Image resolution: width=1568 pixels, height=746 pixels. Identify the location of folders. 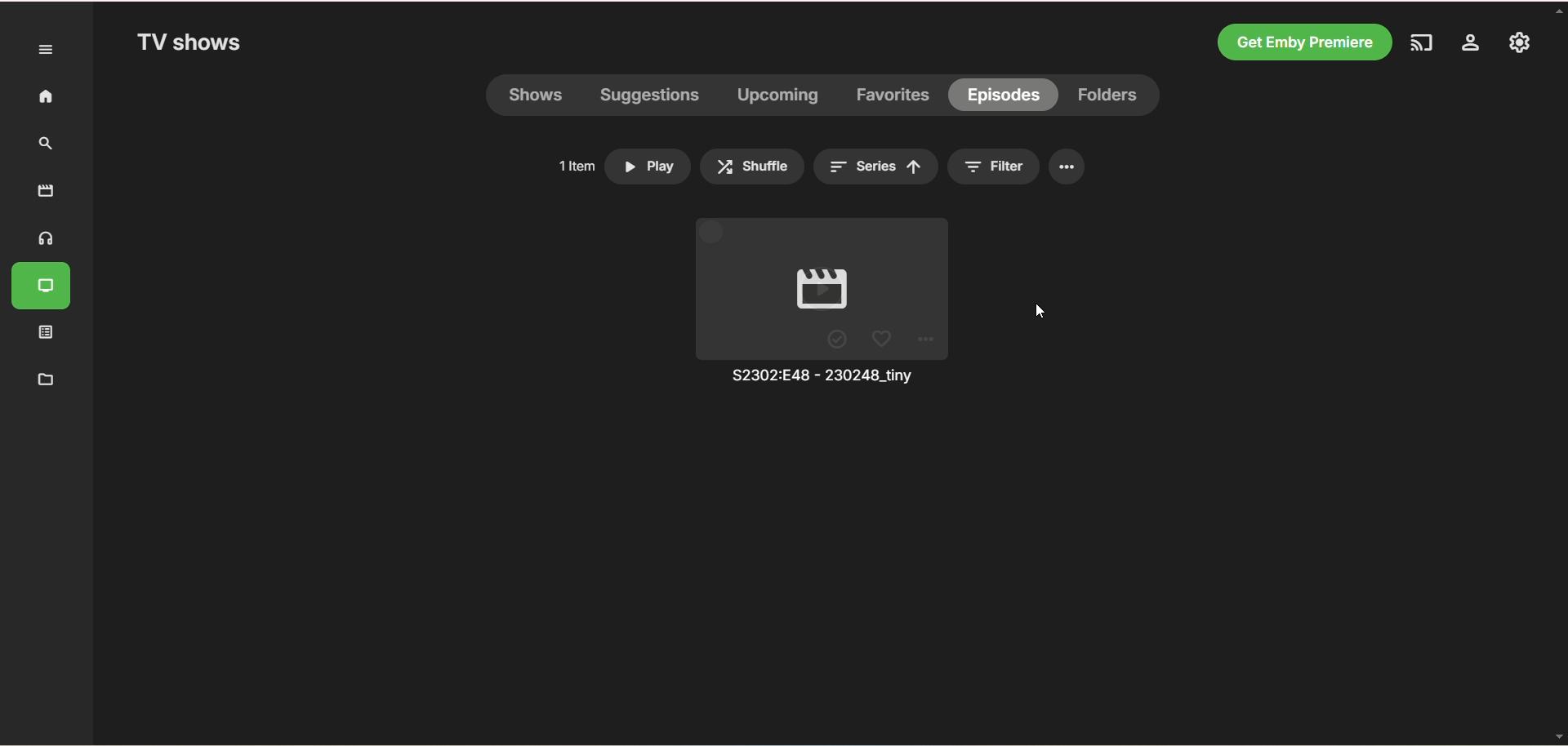
(1111, 95).